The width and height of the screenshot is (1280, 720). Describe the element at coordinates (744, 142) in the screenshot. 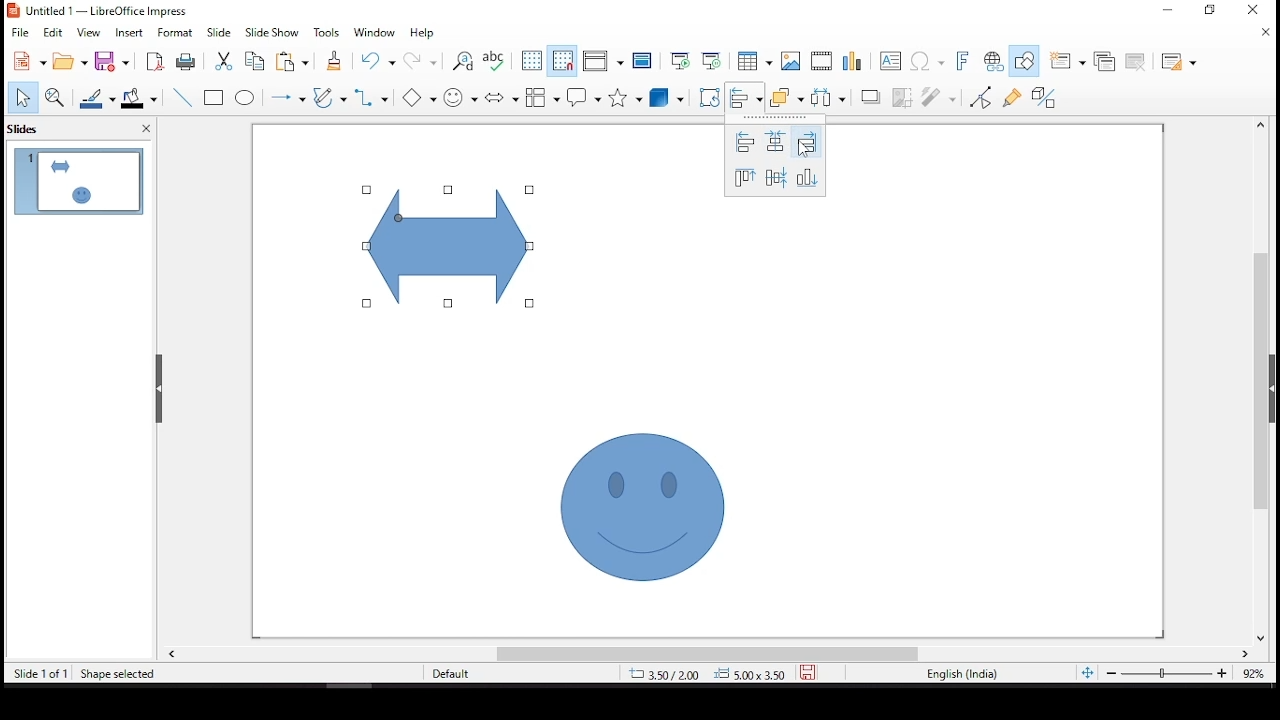

I see `align left` at that location.